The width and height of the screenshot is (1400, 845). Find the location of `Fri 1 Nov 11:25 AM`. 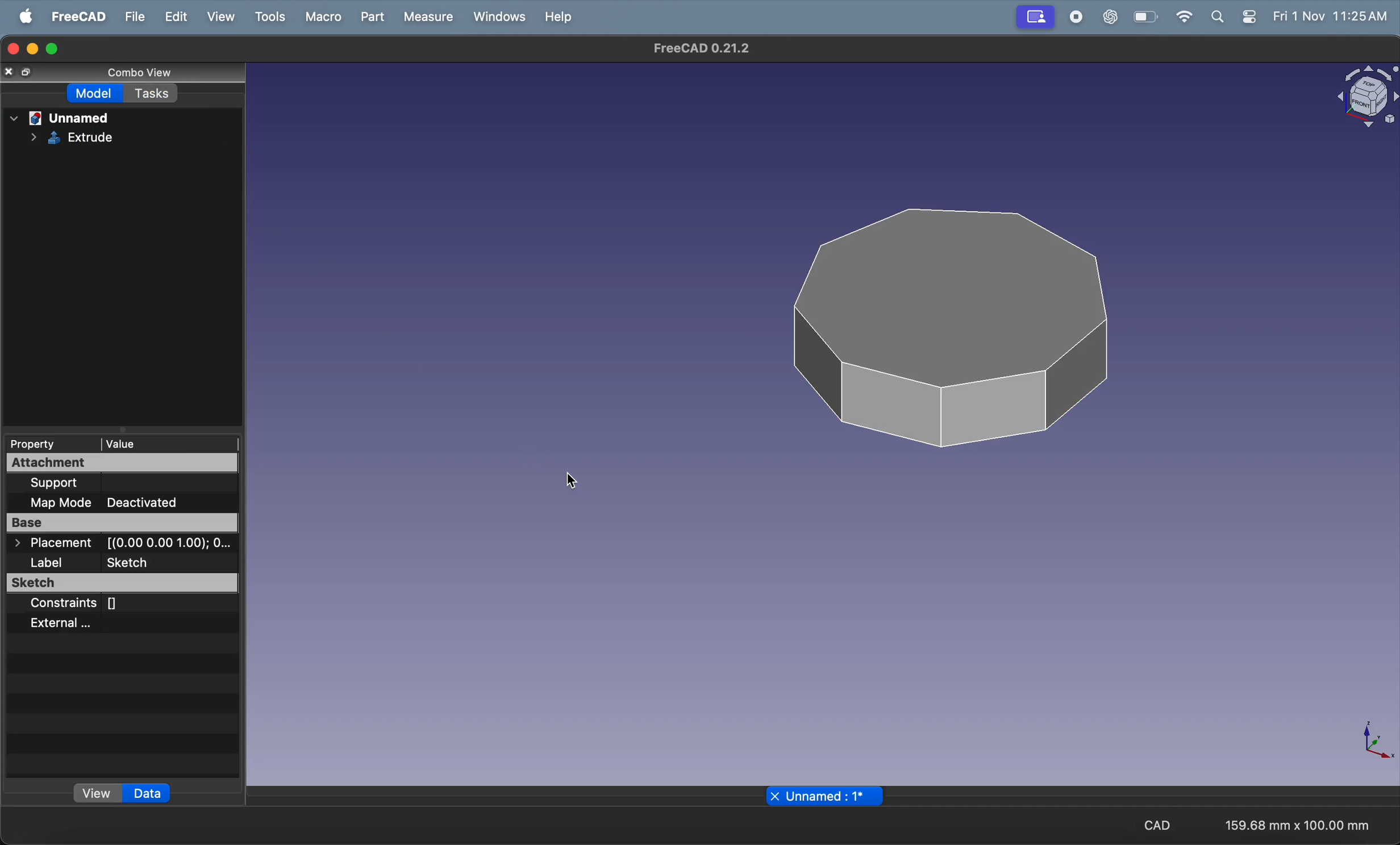

Fri 1 Nov 11:25 AM is located at coordinates (1331, 17).